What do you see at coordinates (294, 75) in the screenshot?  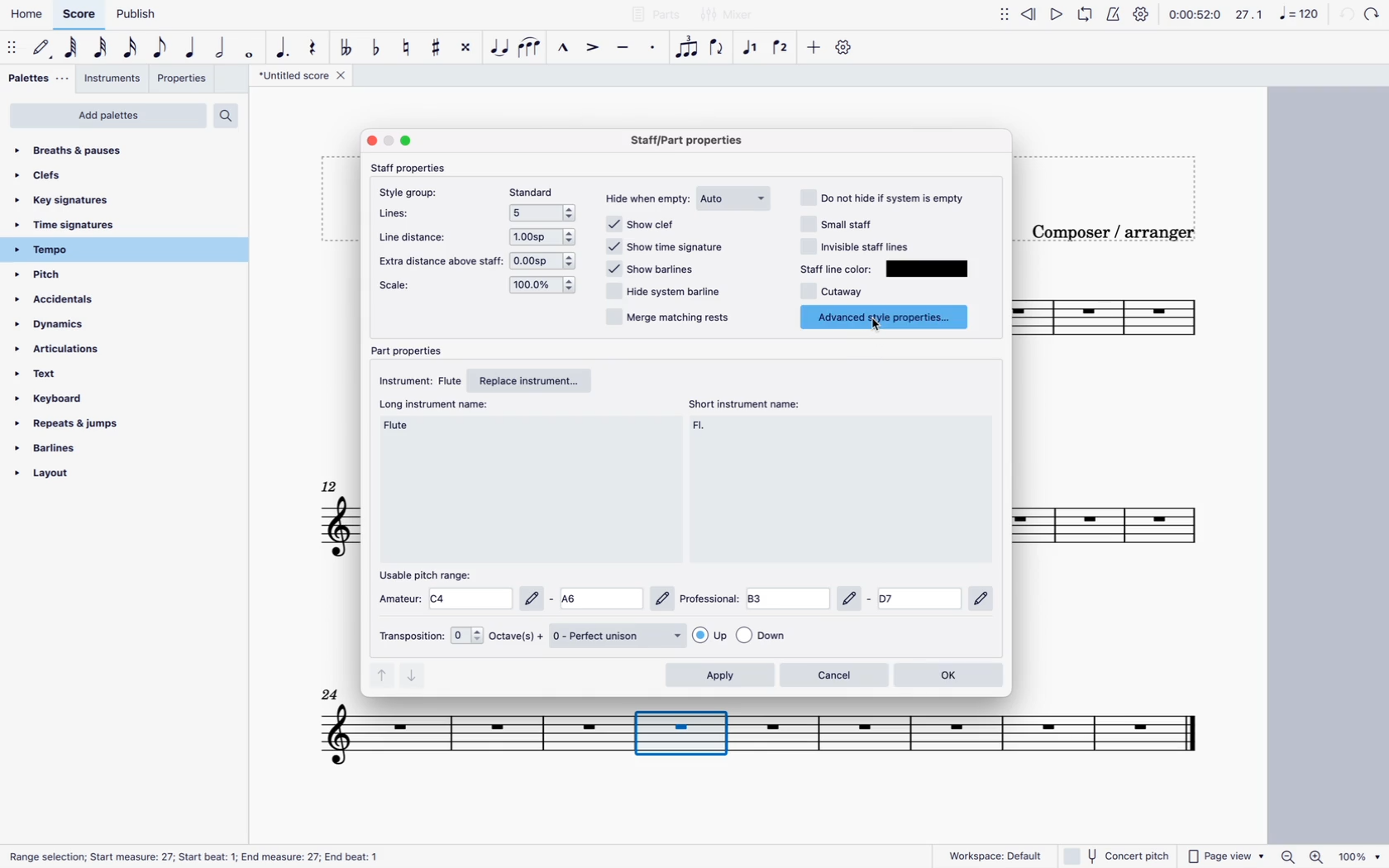 I see `score title` at bounding box center [294, 75].